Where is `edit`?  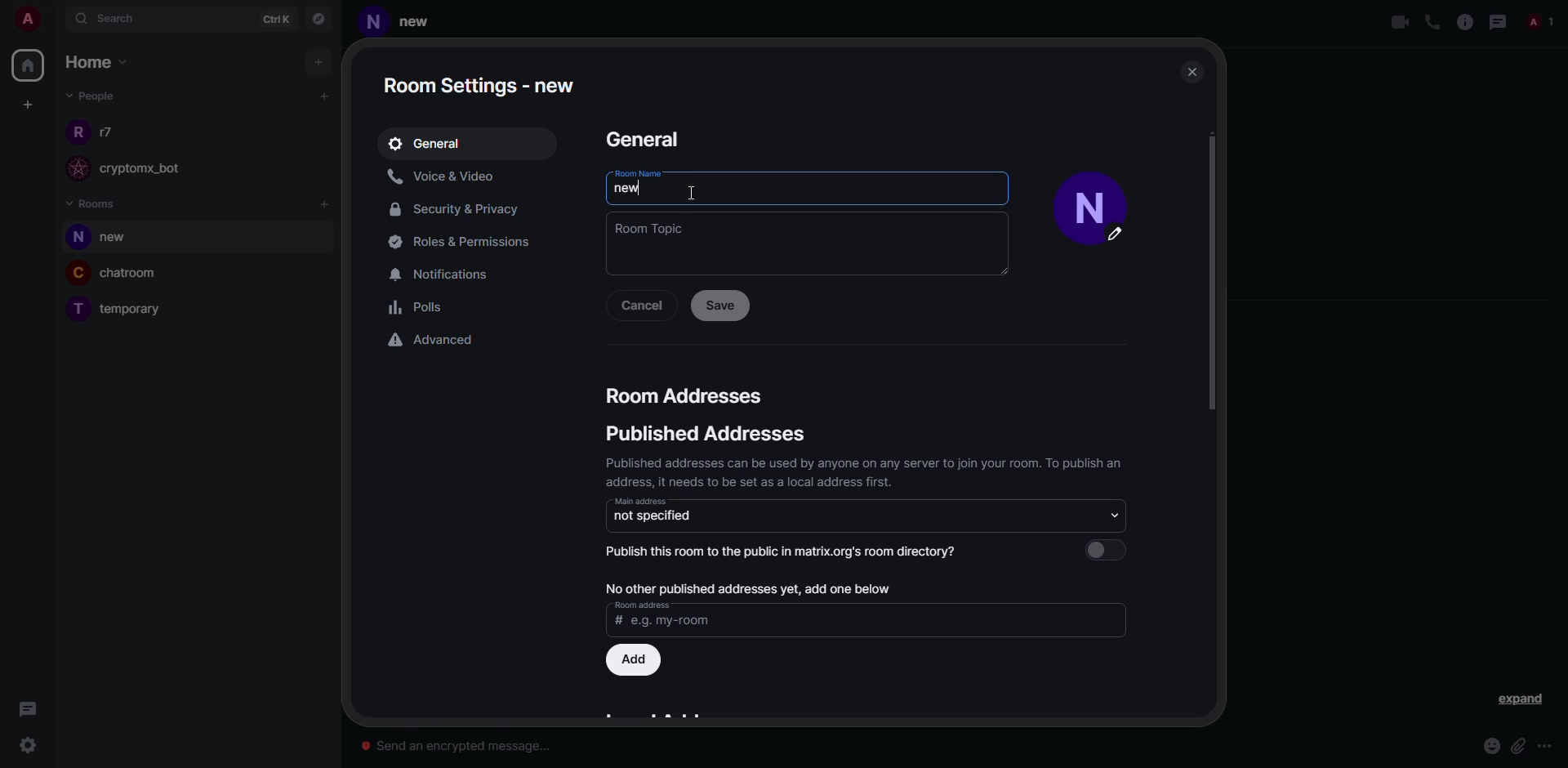 edit is located at coordinates (1123, 239).